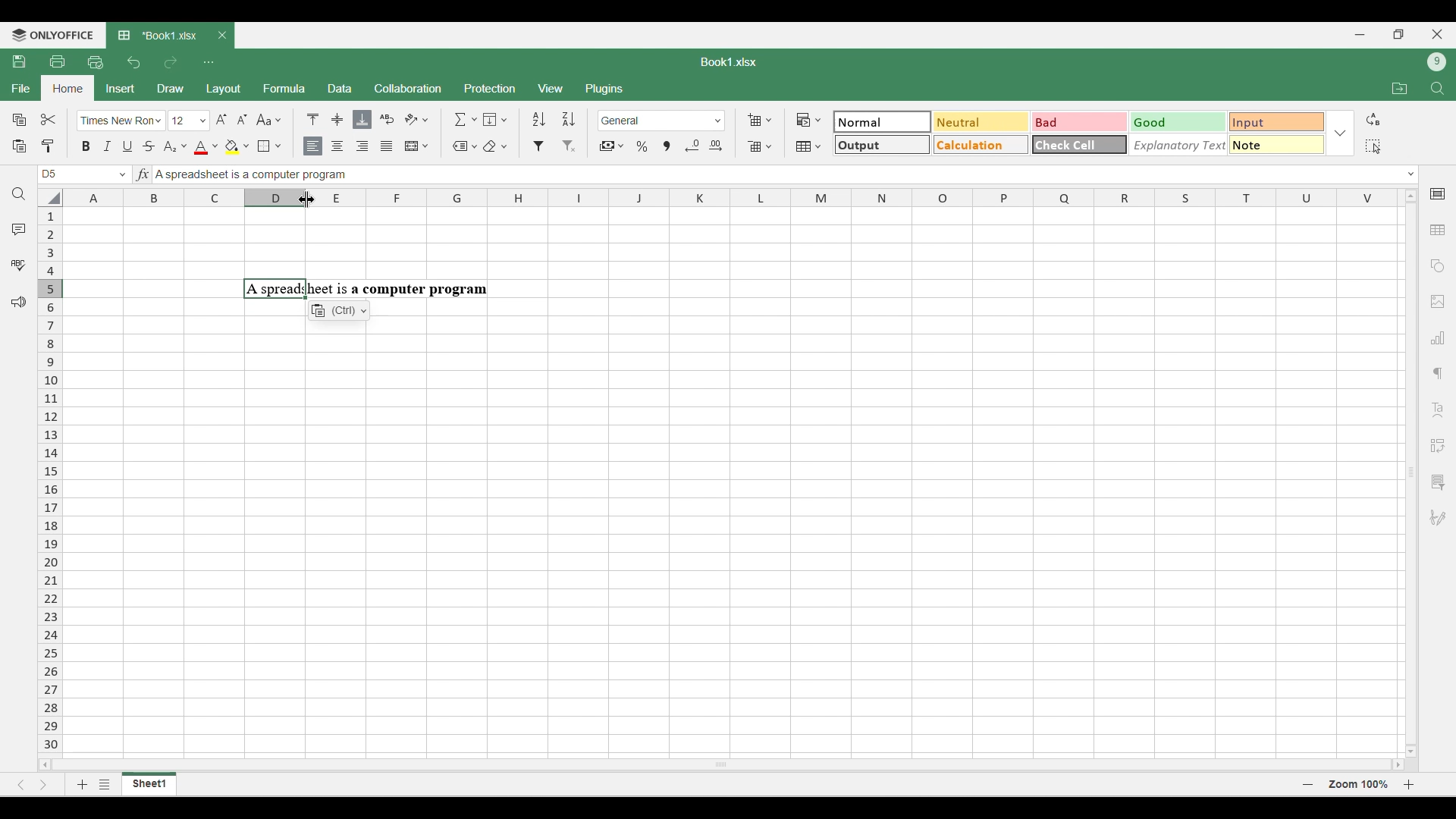 This screenshot has height=819, width=1456. Describe the element at coordinates (466, 119) in the screenshot. I see `Summation options` at that location.